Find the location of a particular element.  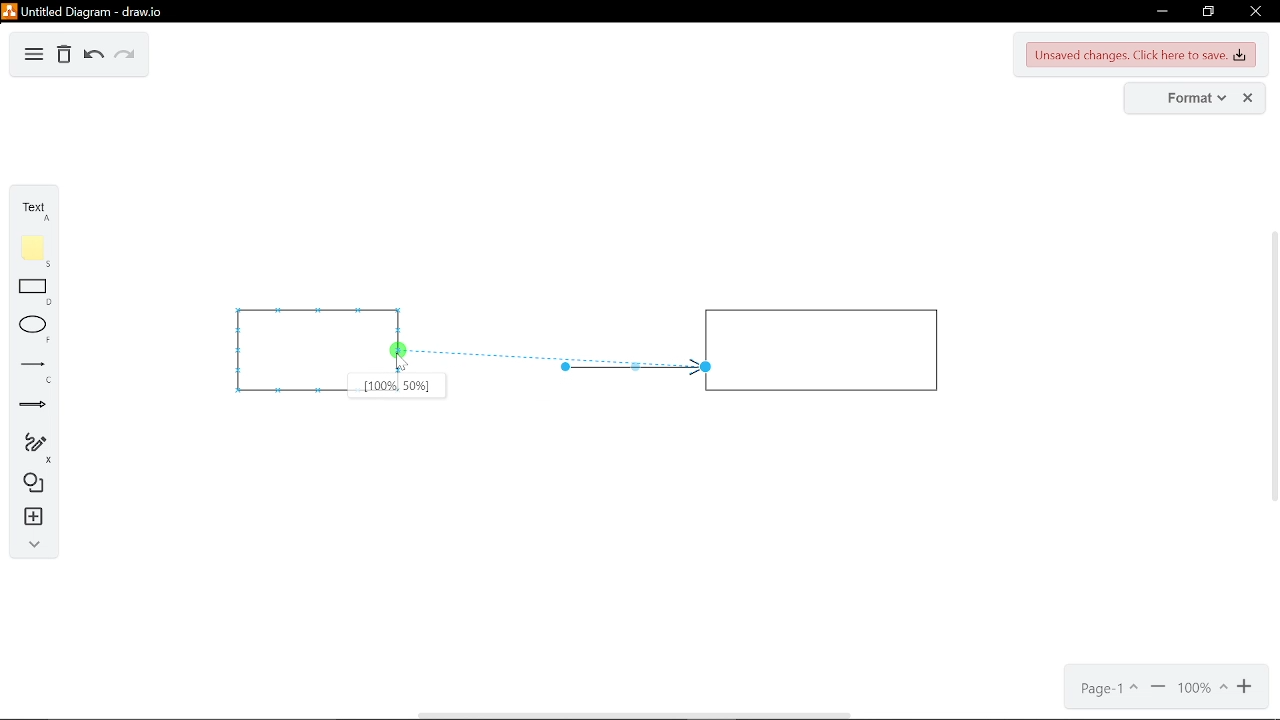

arrow is located at coordinates (630, 374).